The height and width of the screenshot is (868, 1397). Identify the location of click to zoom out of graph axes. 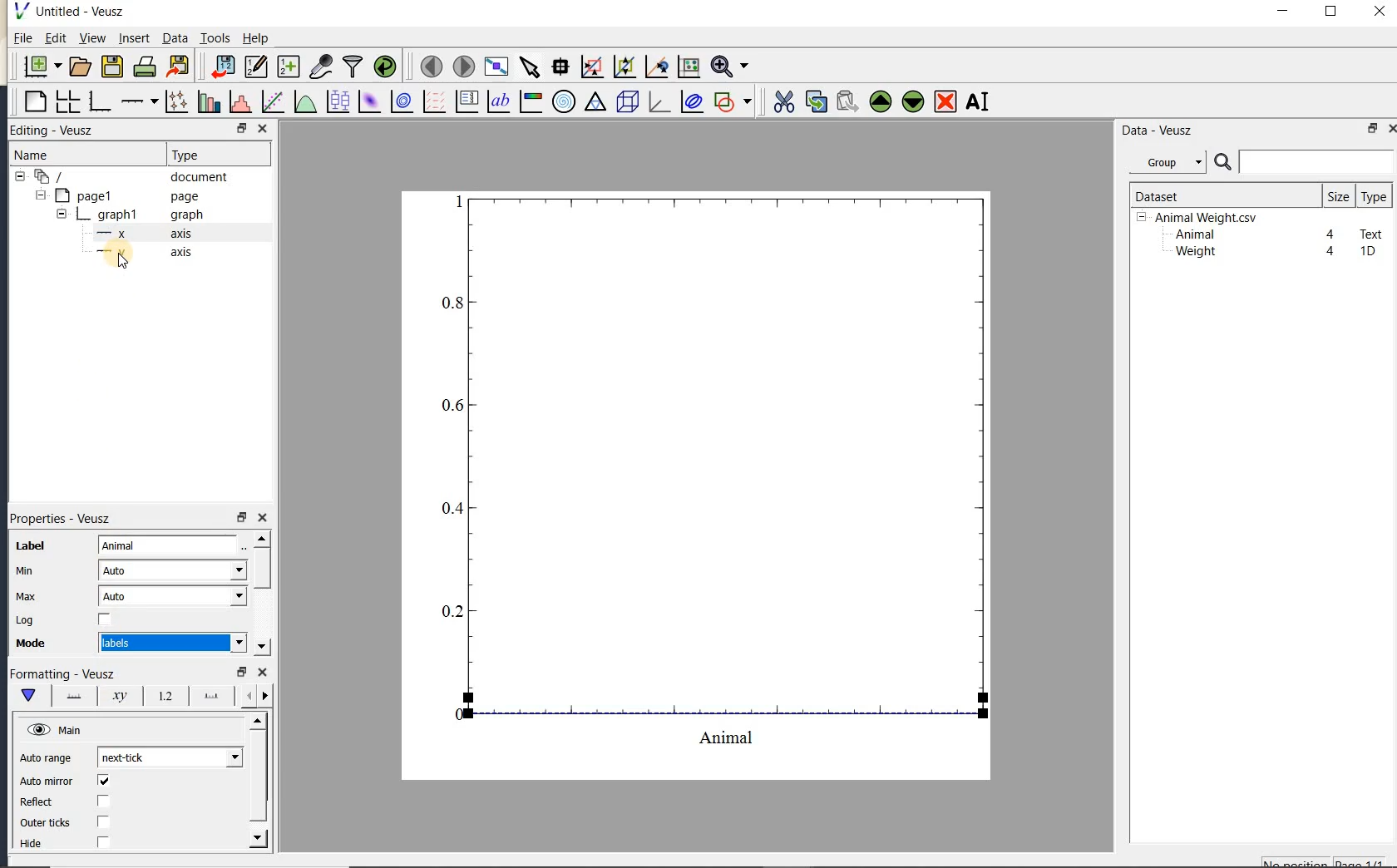
(625, 66).